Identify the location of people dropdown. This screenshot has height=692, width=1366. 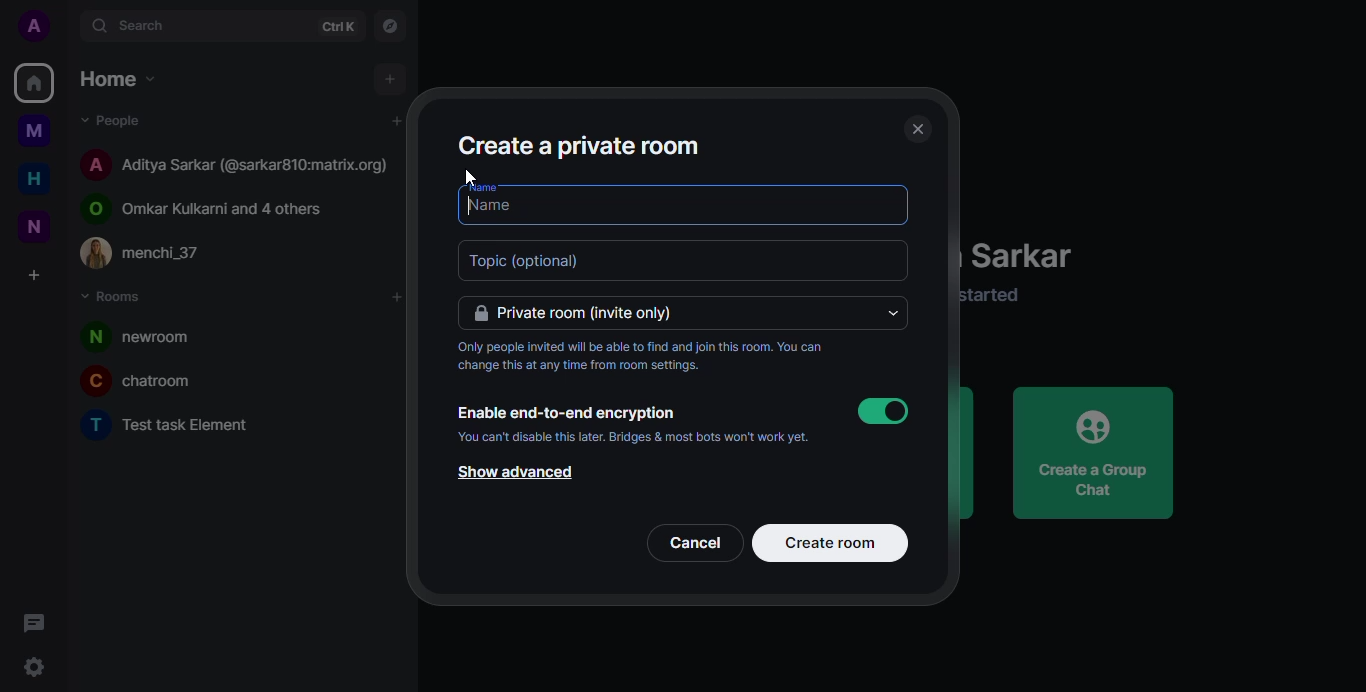
(121, 120).